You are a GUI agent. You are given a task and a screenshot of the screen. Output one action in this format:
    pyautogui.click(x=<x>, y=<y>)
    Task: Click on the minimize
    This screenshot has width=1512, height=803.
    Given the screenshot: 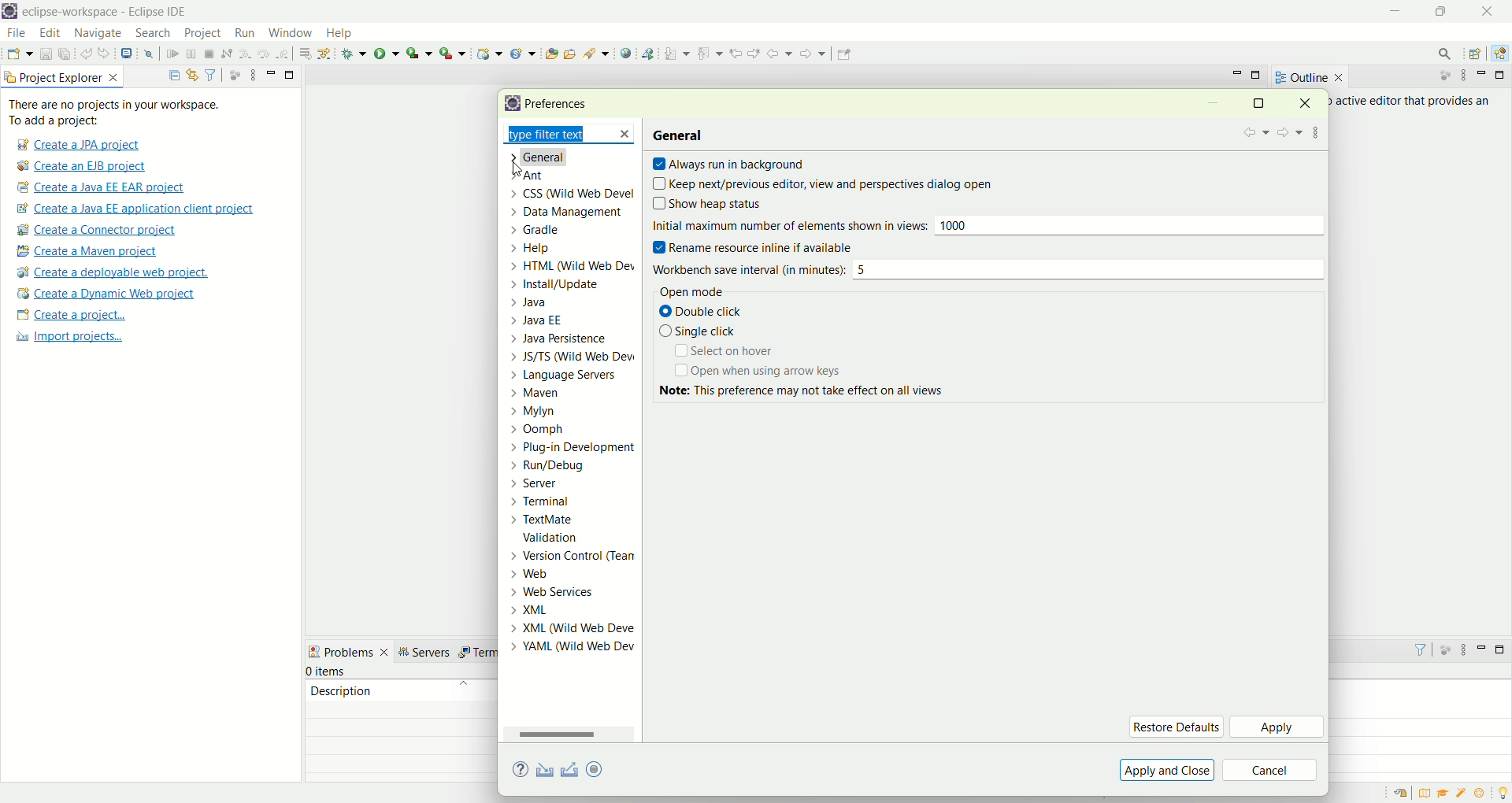 What is the action you would take?
    pyautogui.click(x=1397, y=12)
    